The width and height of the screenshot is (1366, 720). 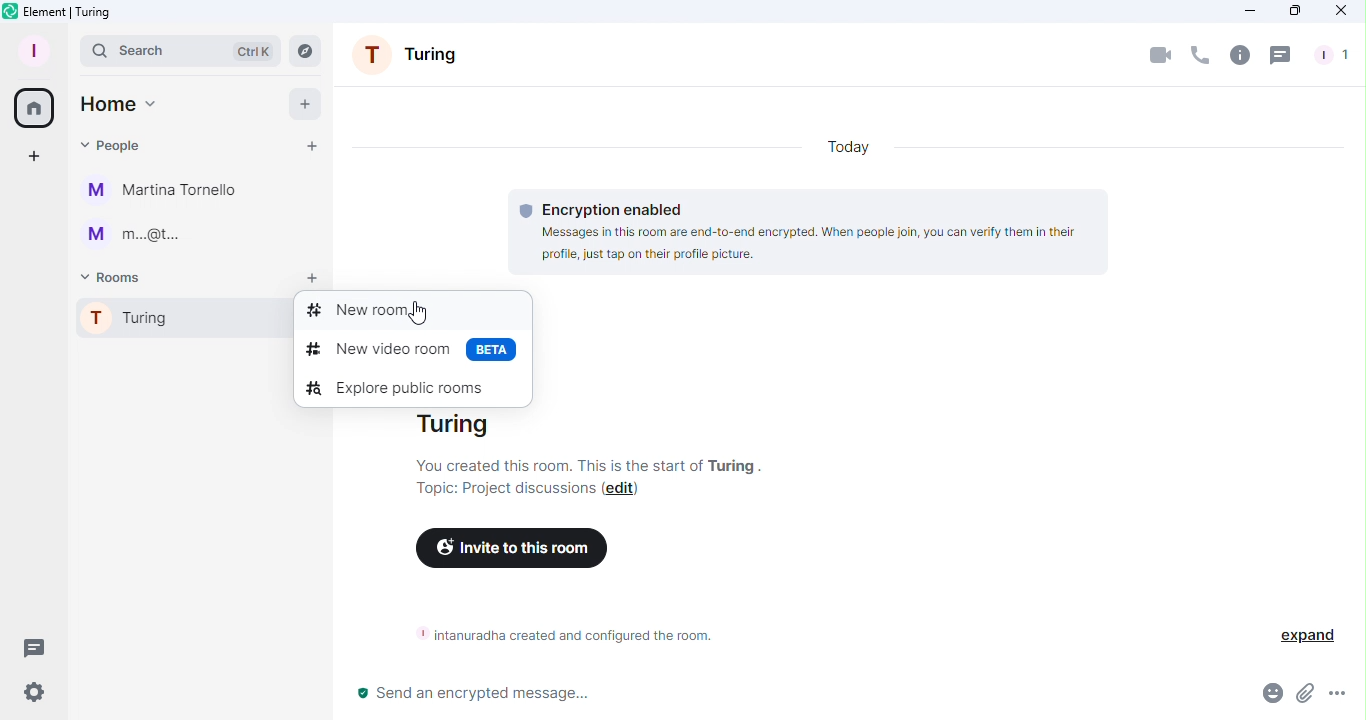 I want to click on Video call, so click(x=1161, y=54).